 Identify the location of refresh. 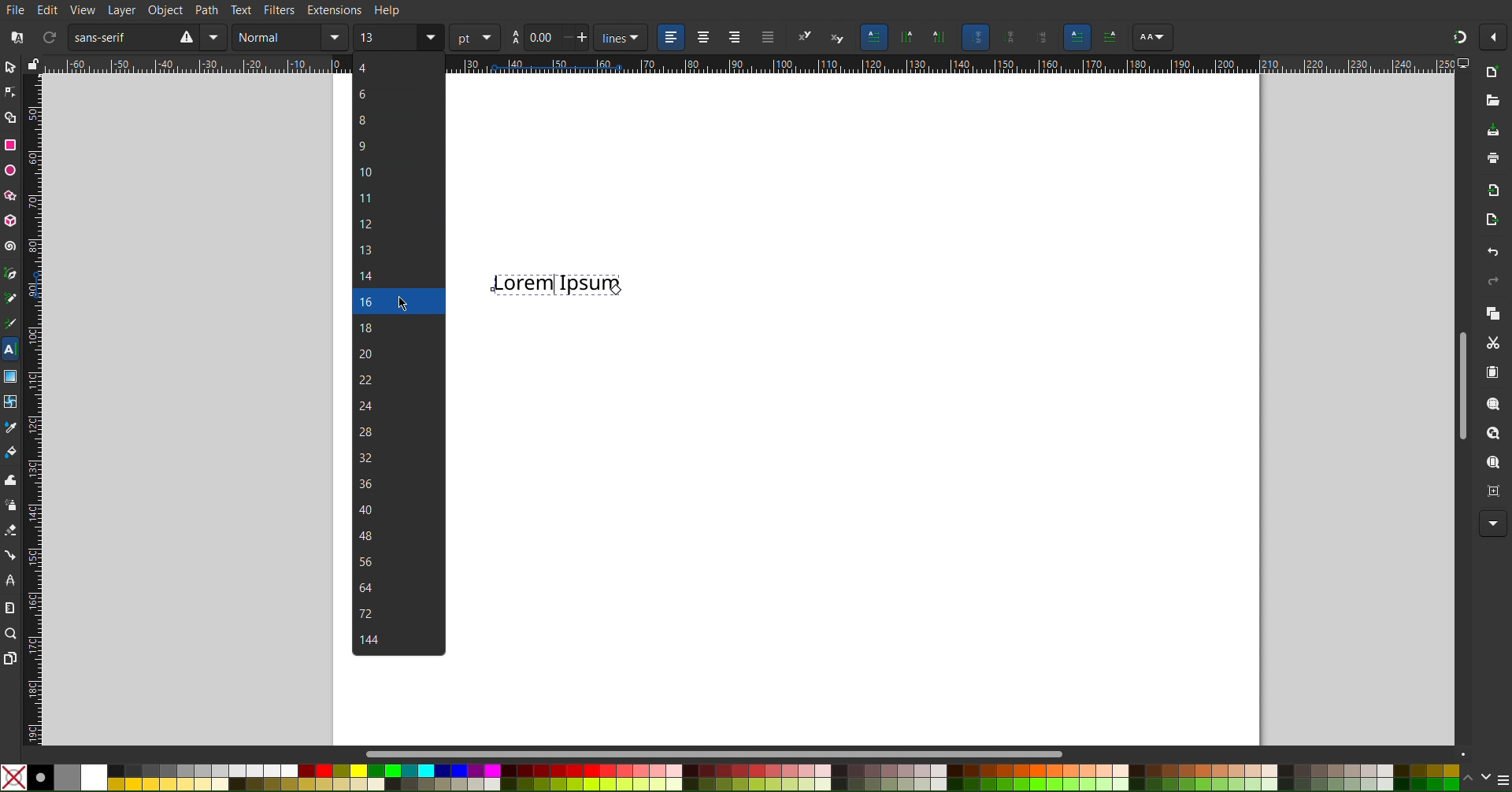
(47, 35).